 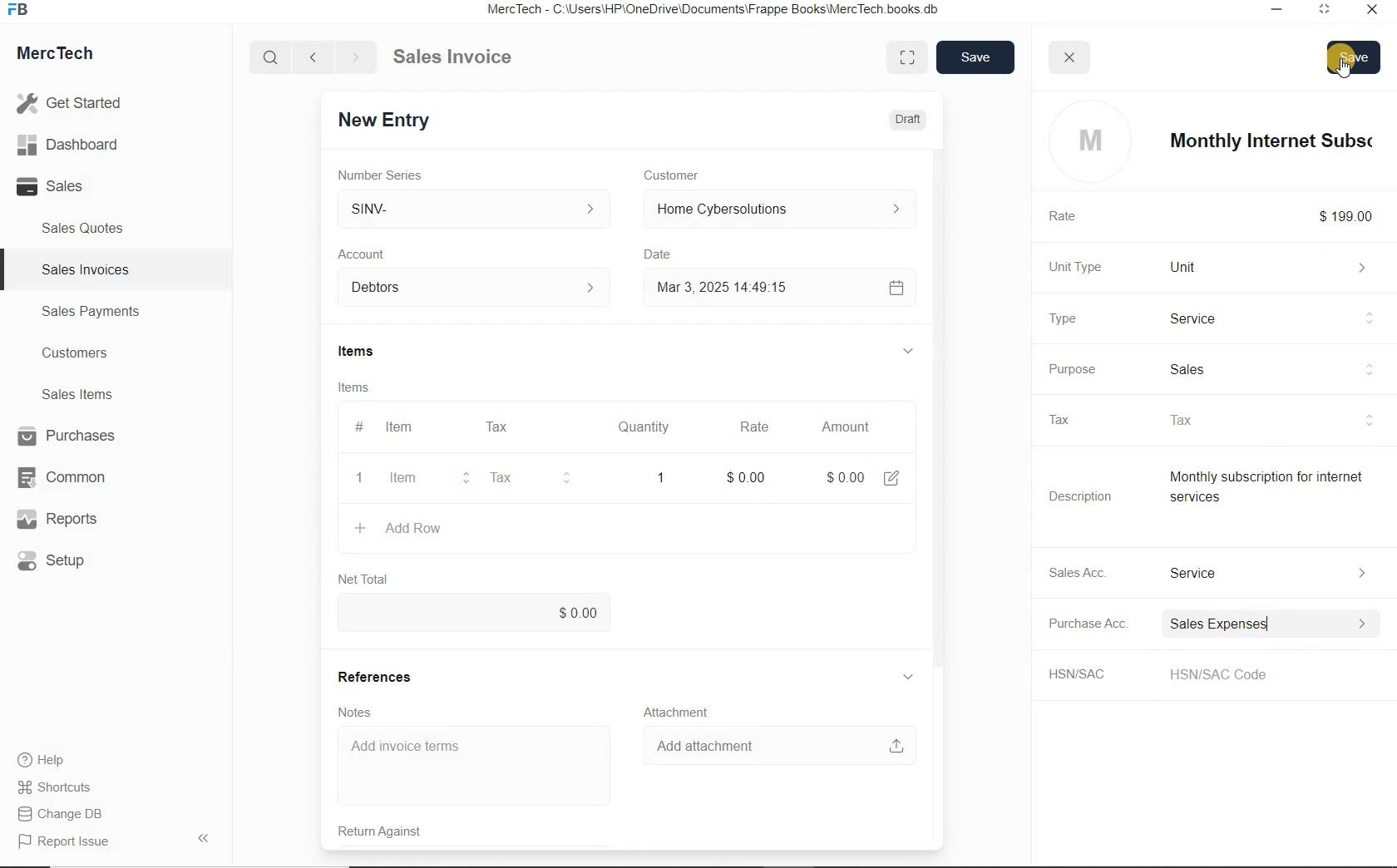 I want to click on Purchase Acc., so click(x=1081, y=625).